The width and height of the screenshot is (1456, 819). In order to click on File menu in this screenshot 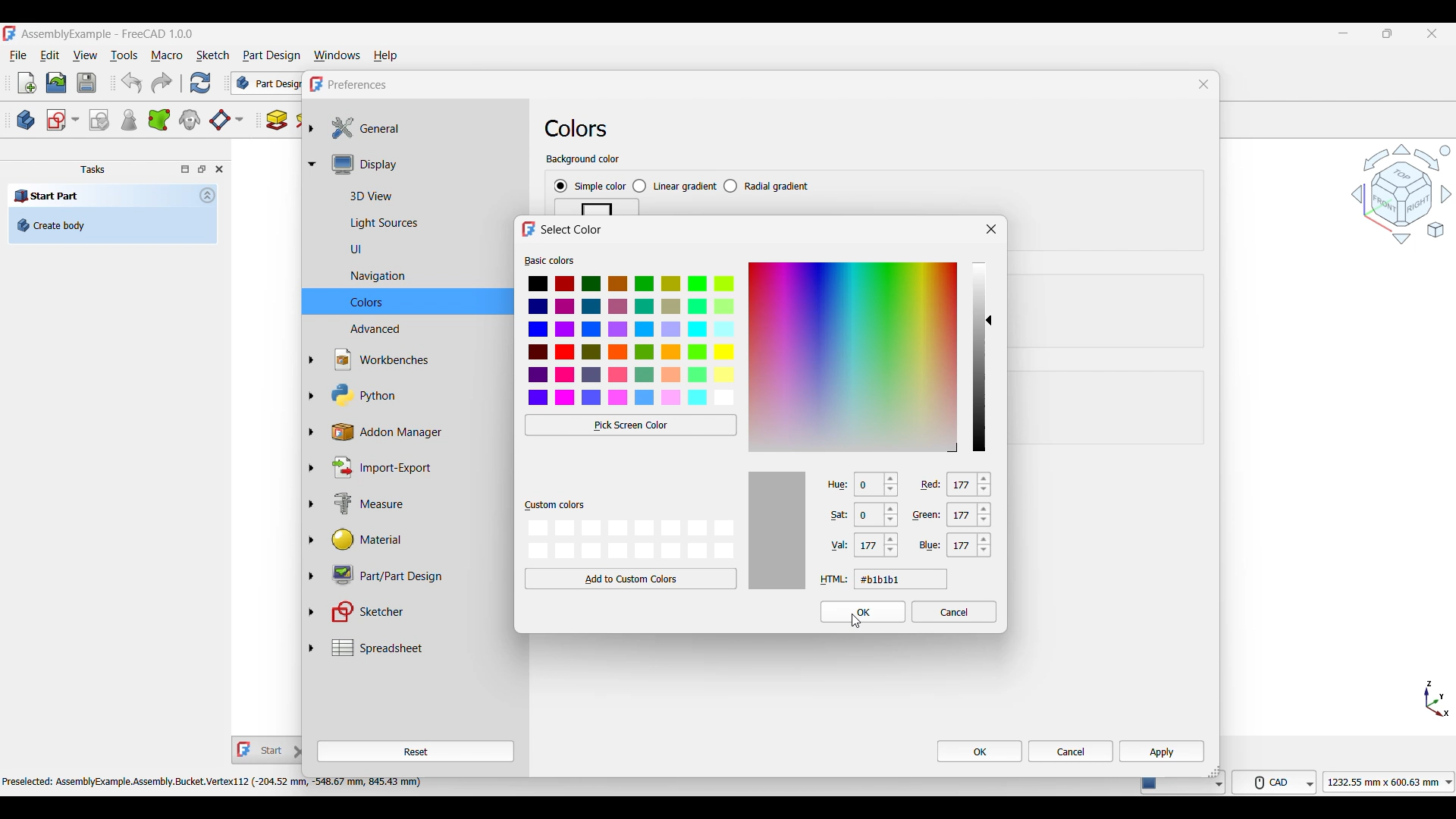, I will do `click(18, 56)`.